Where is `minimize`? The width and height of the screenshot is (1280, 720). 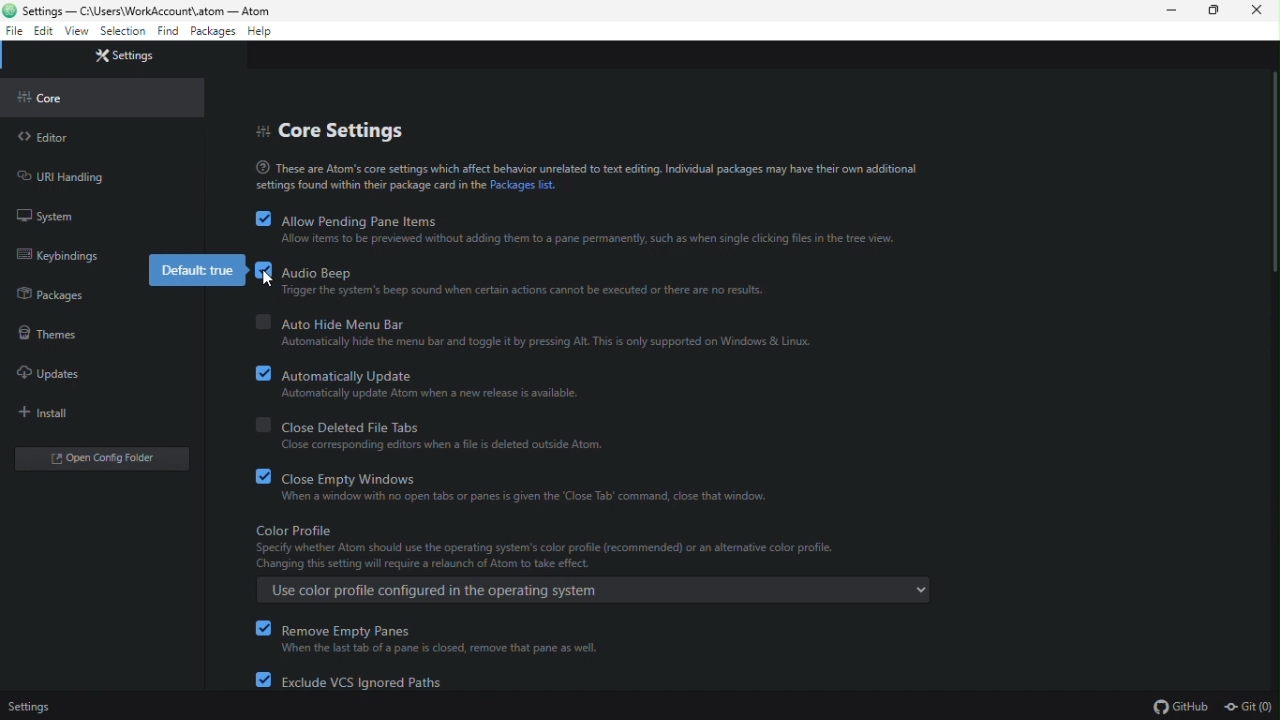 minimize is located at coordinates (1176, 16).